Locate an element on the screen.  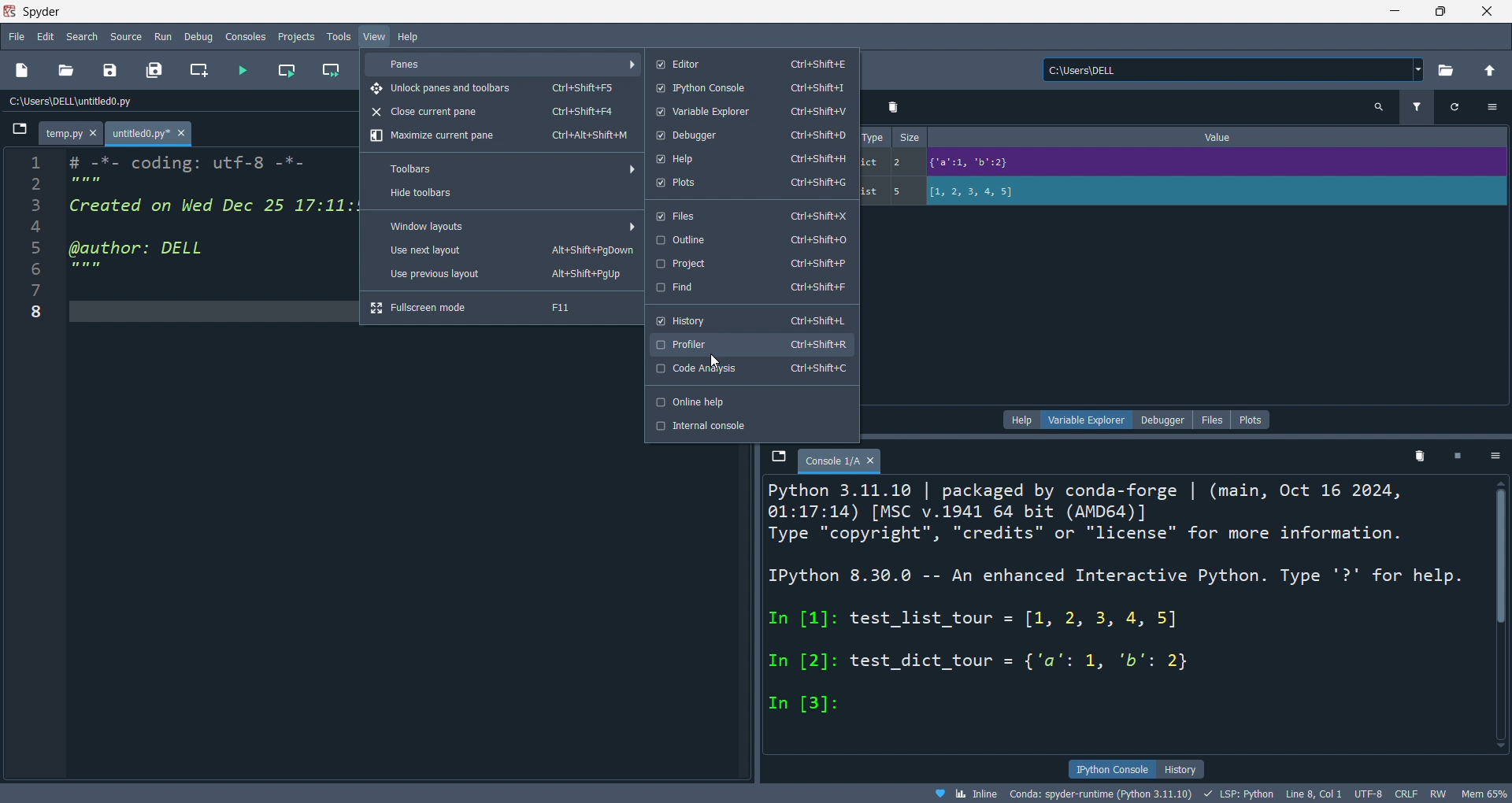
history is located at coordinates (754, 320).